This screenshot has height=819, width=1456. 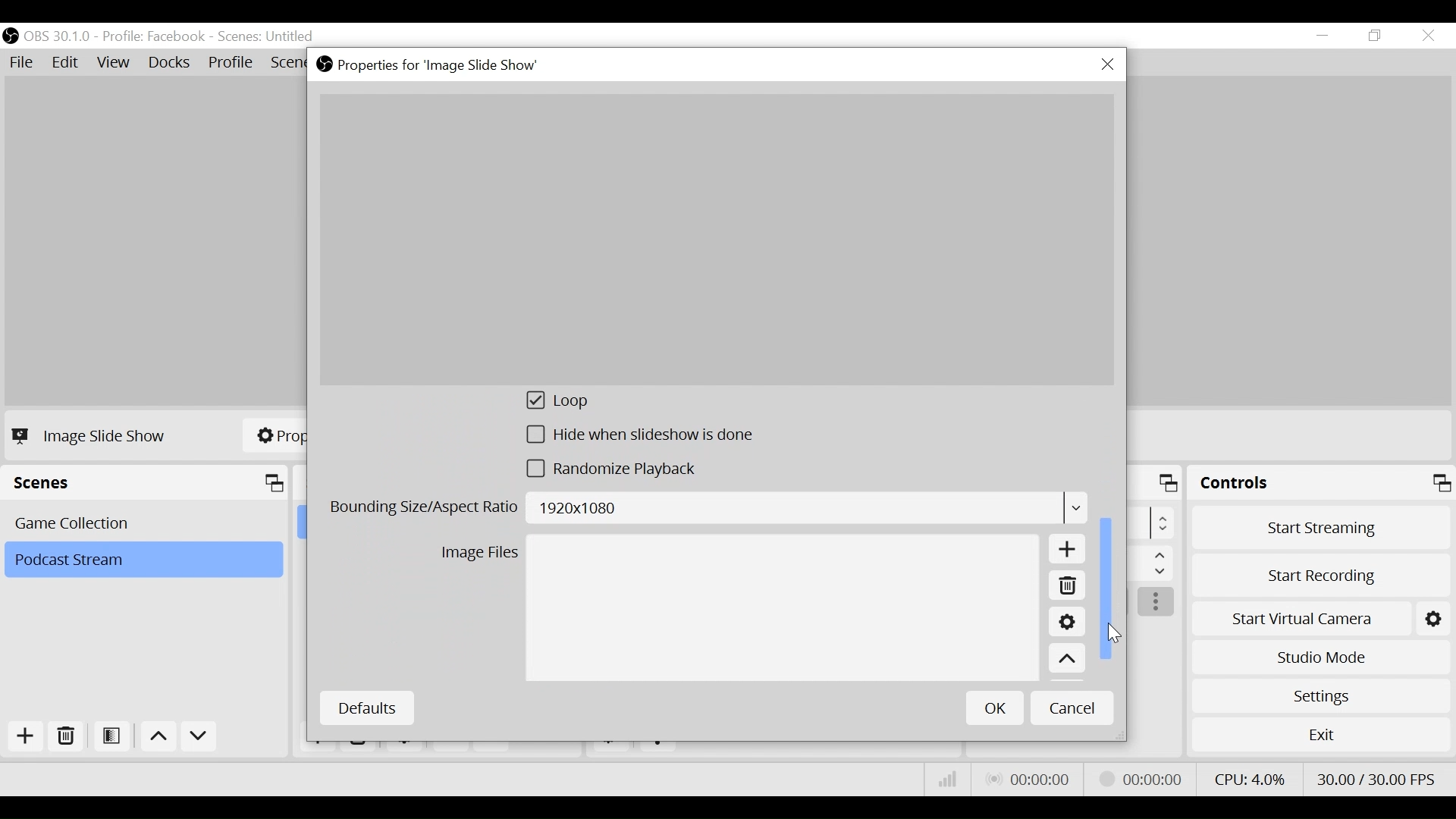 What do you see at coordinates (171, 64) in the screenshot?
I see `Docks` at bounding box center [171, 64].